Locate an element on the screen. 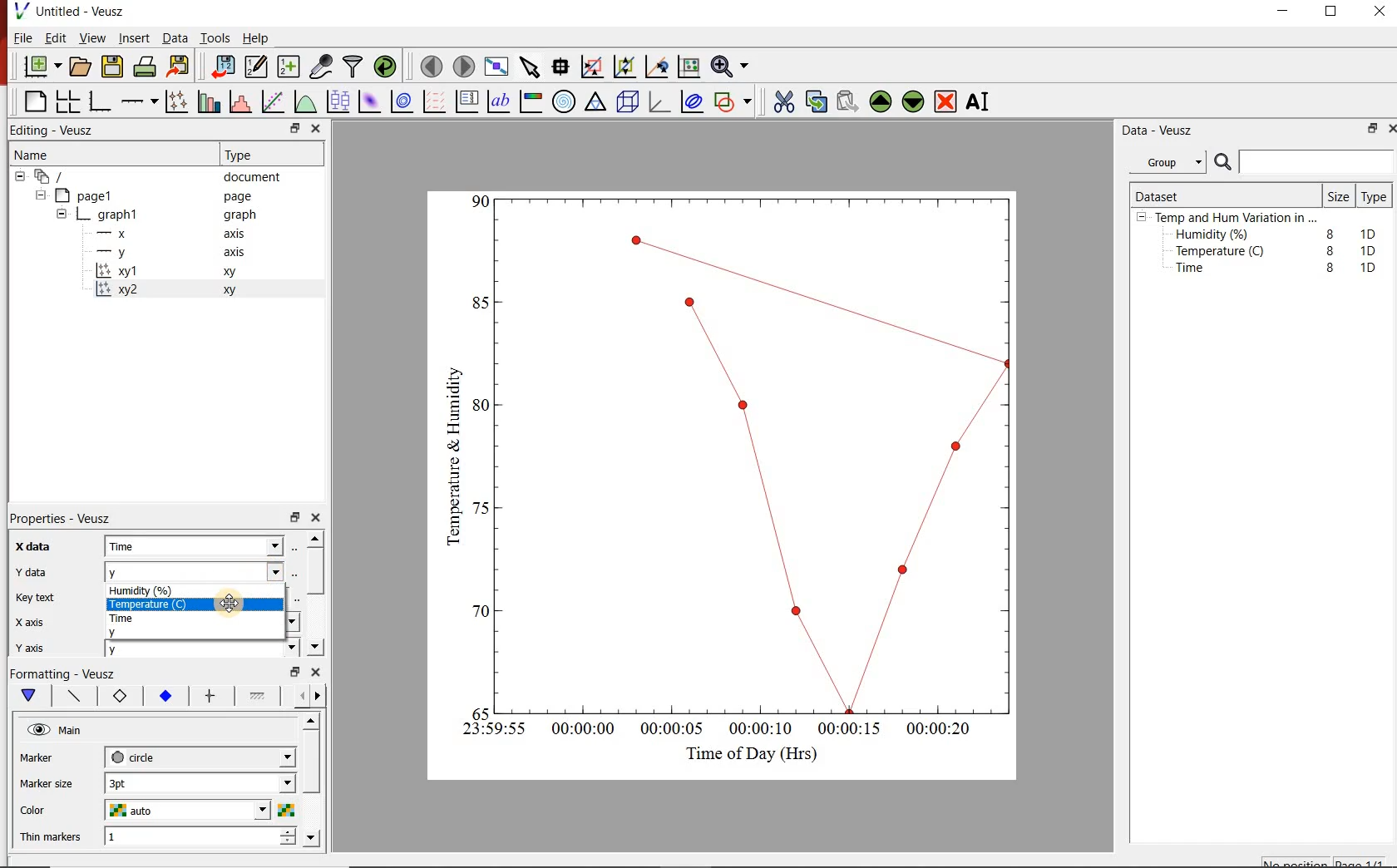 The height and width of the screenshot is (868, 1397). 1 is located at coordinates (481, 200).